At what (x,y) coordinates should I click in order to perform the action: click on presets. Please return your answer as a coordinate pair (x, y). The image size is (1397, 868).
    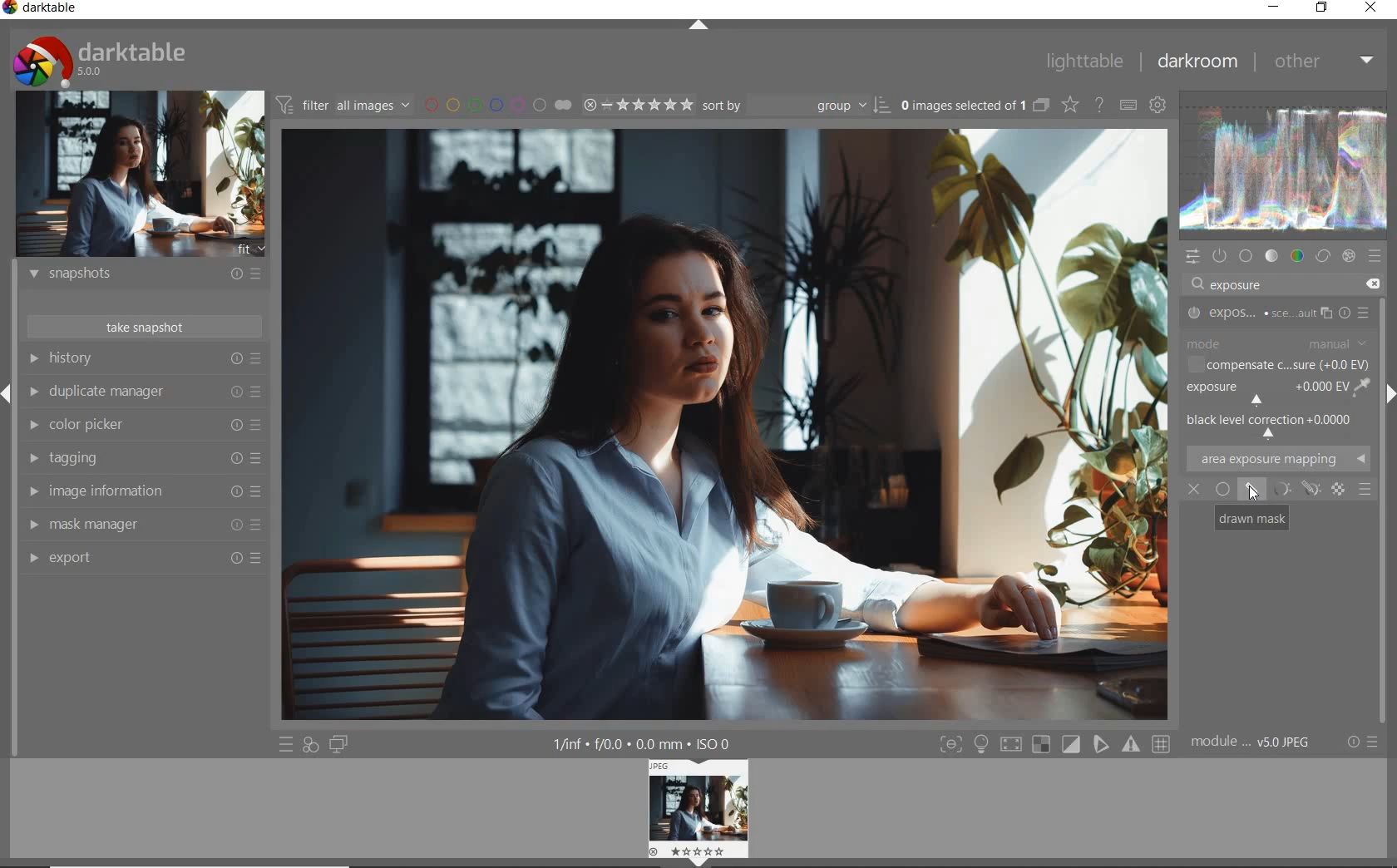
    Looking at the image, I should click on (1376, 255).